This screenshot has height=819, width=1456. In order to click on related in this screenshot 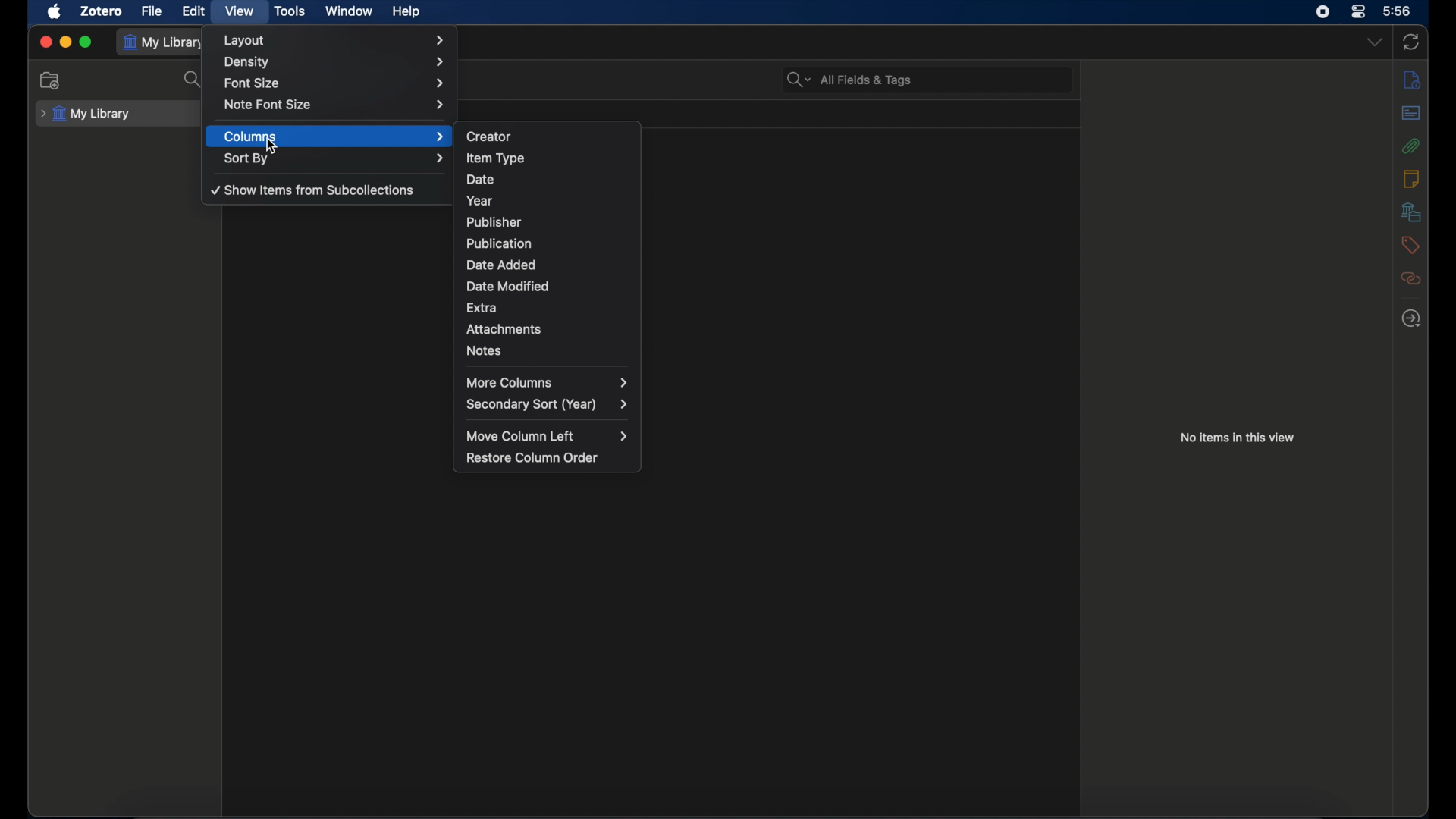, I will do `click(1411, 278)`.